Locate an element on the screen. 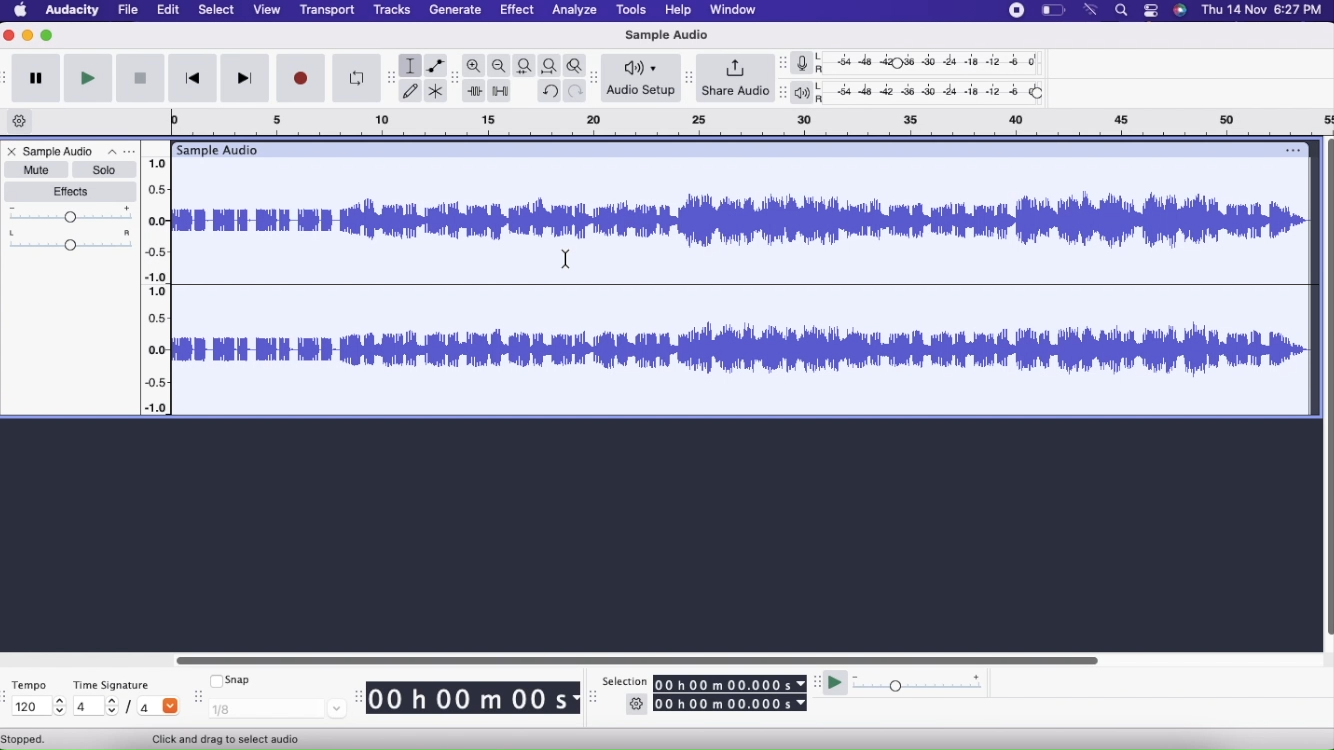  resize is located at coordinates (593, 700).